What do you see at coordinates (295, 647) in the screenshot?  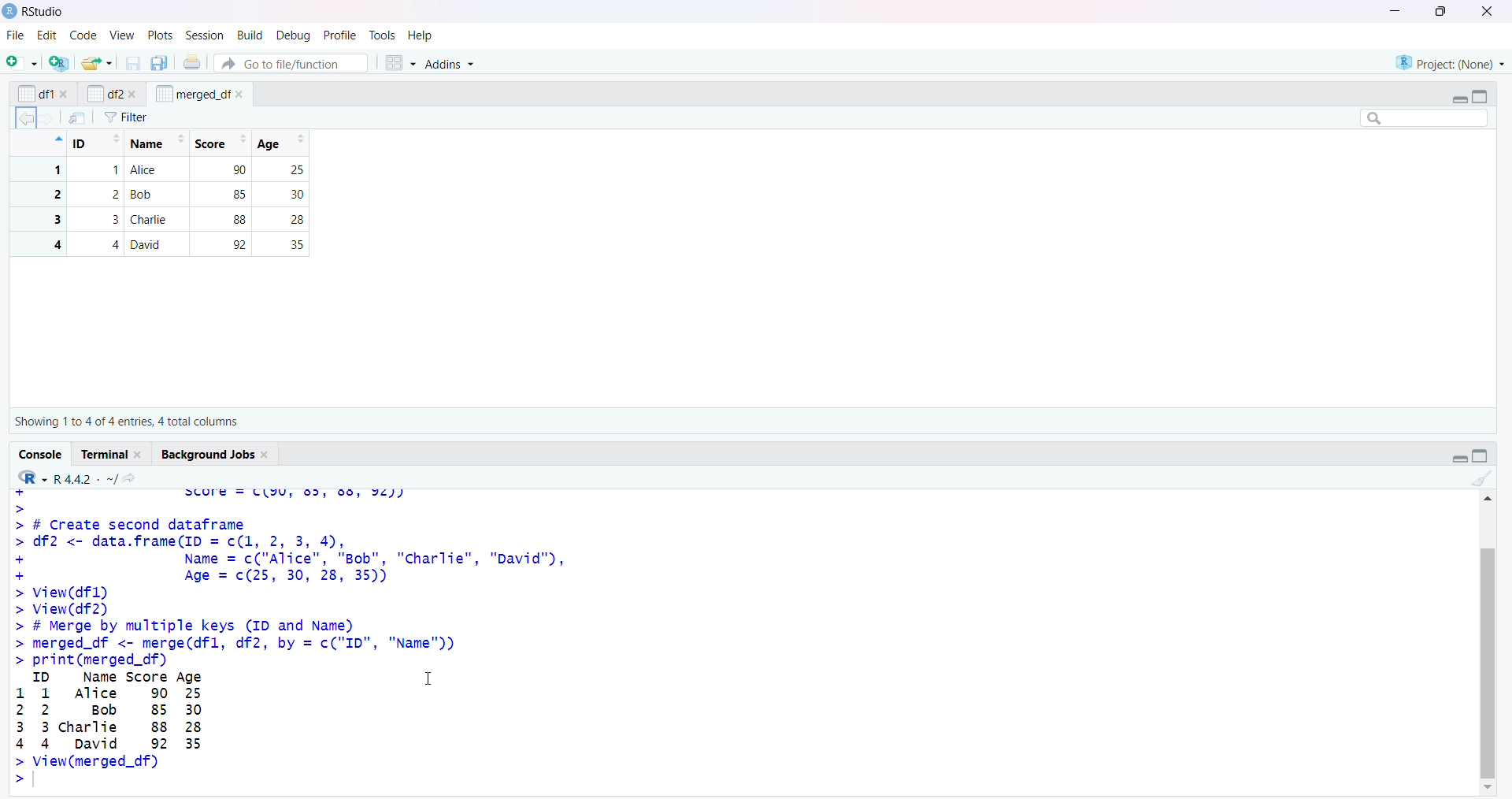 I see `>> # Create second dataframe> df2 <- data.frame(iD = c(1, 2, 3, 4),+ Name = c("Alice", "Bob", "Charlie", "David"),+ Age = c(25, 30, 28, 35))> View(df1l)> View(df2)> # Merge by multiple keys (ID and Name)> merged_df <- merge(dfl, df2, by = c("ID", "Name"))> print(merged_df)0 Name Score Age 1 1 Alice 90 252 2 Bob 85 303 3 charlie 88 284 4  Dpavid 92 35> View(merged_df)>` at bounding box center [295, 647].